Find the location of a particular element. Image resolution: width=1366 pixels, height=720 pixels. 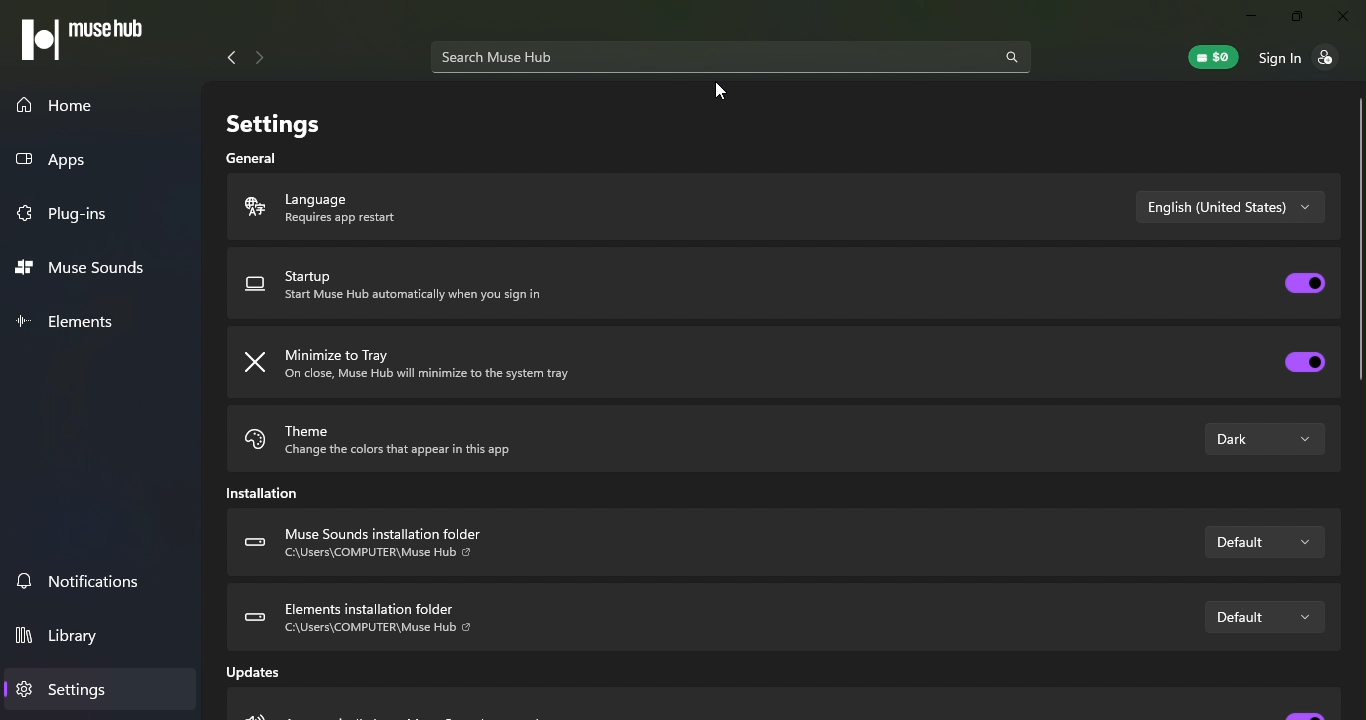

Toggle startup is located at coordinates (1306, 283).